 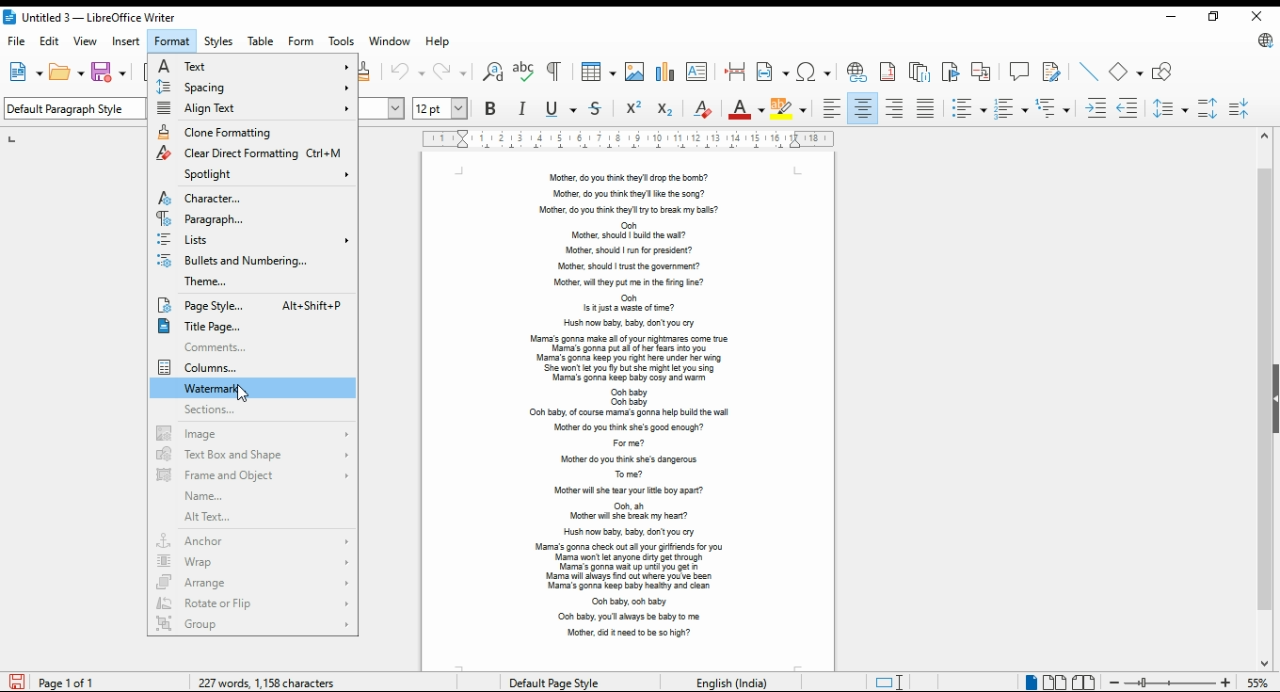 What do you see at coordinates (558, 108) in the screenshot?
I see `underline` at bounding box center [558, 108].